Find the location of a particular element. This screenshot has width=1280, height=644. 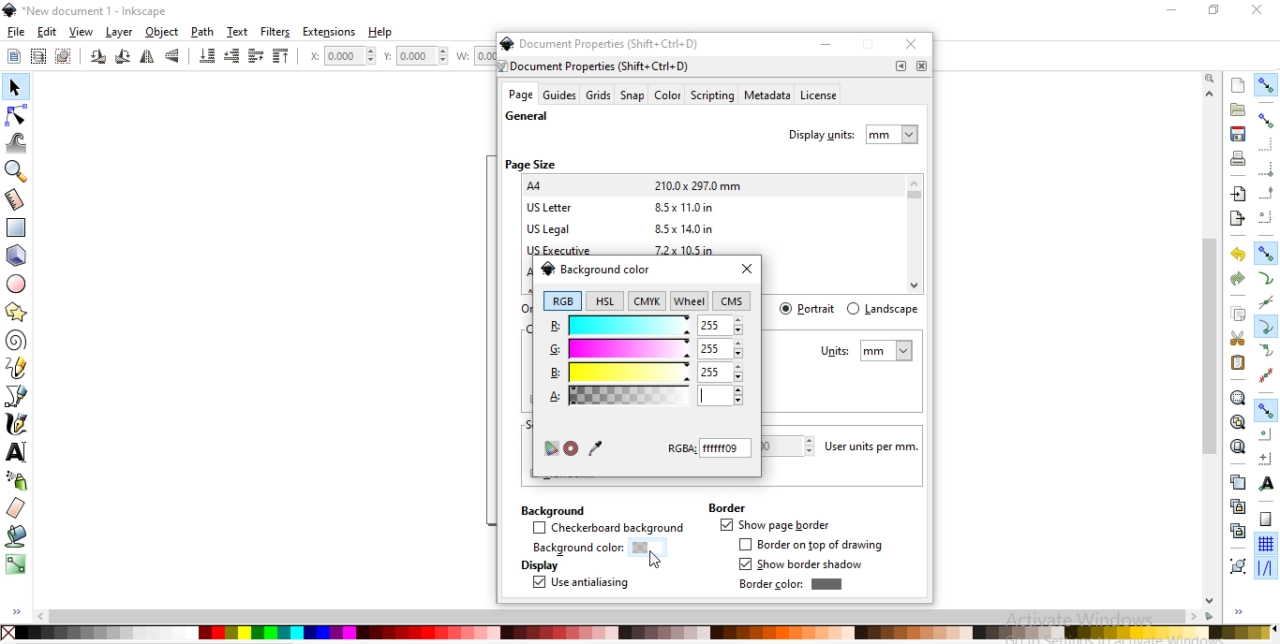

select all objects or nodes is located at coordinates (13, 54).